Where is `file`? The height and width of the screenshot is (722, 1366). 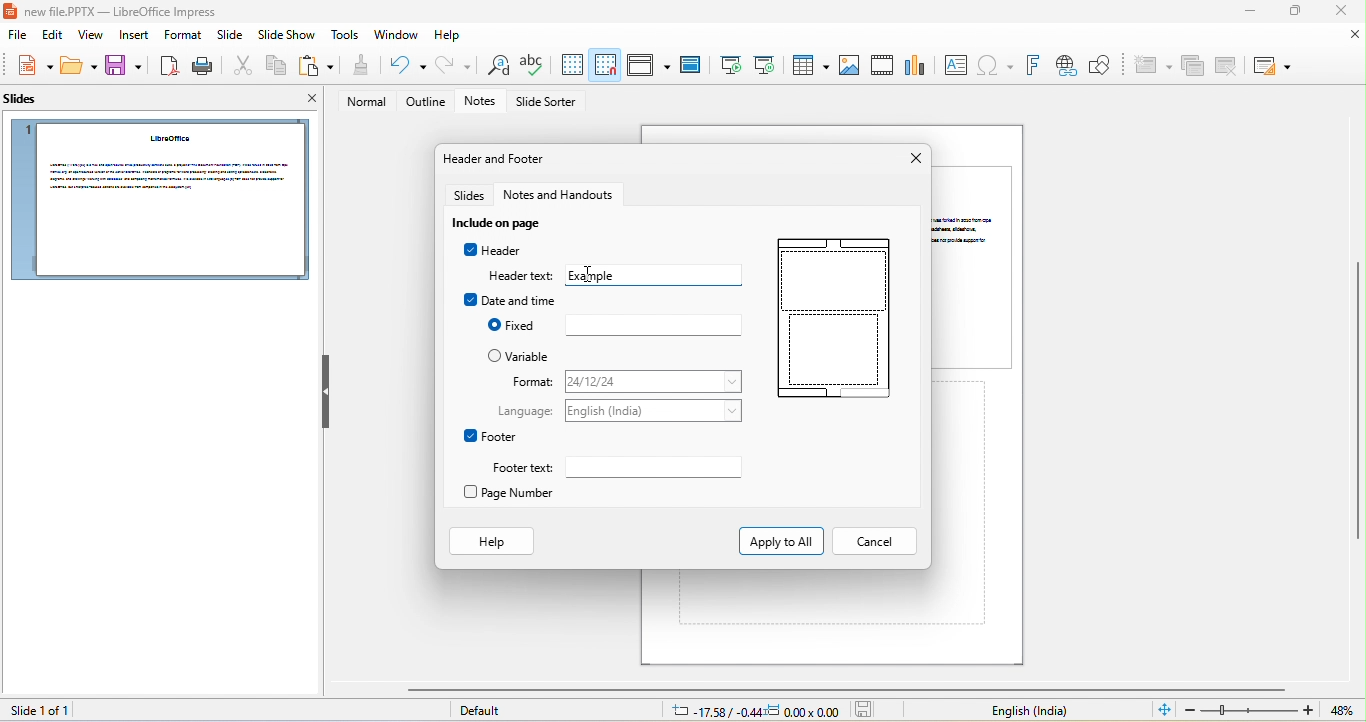
file is located at coordinates (14, 36).